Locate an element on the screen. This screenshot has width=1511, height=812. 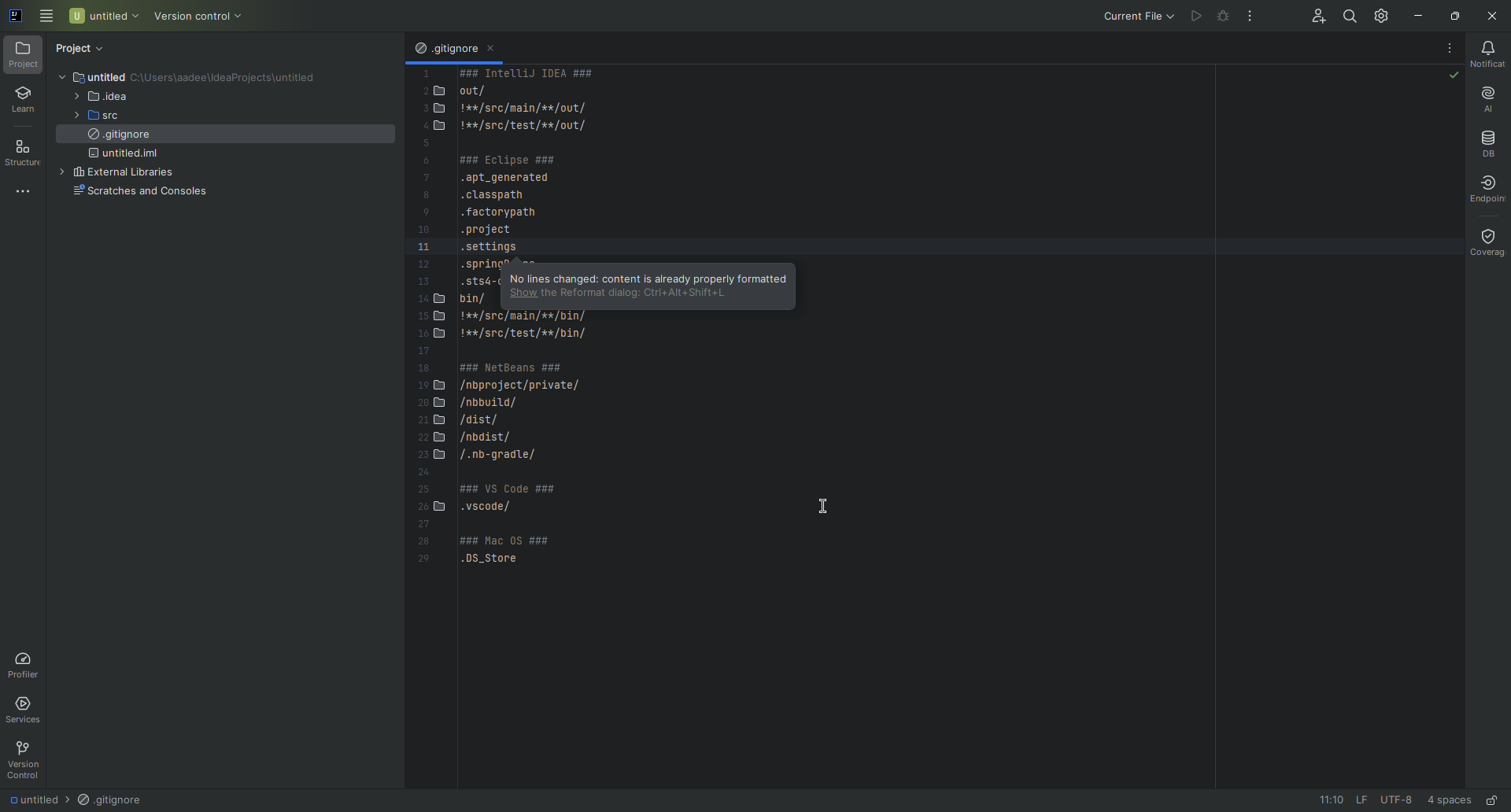
external libraries is located at coordinates (131, 174).